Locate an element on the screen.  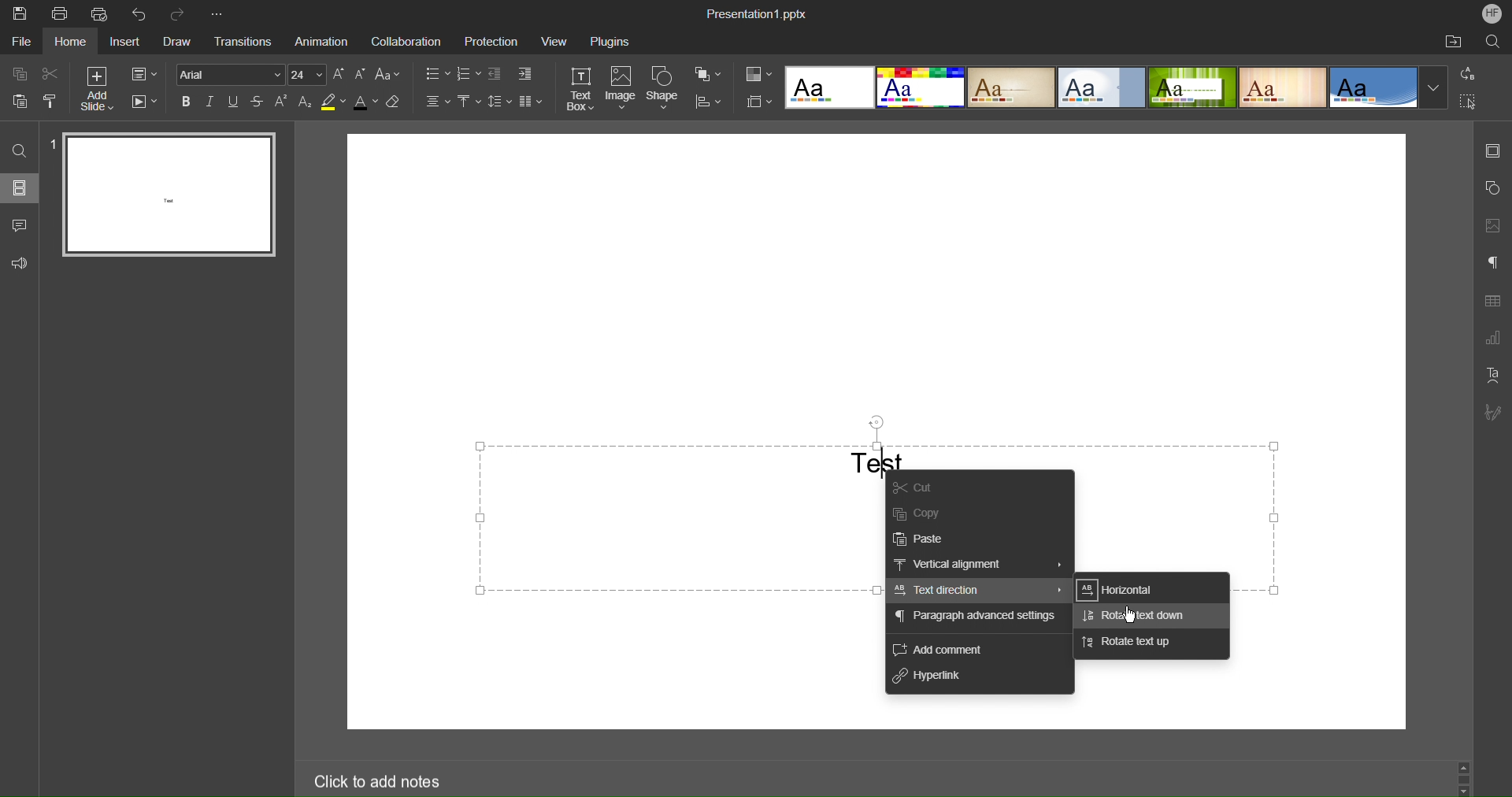
Columns is located at coordinates (530, 103).